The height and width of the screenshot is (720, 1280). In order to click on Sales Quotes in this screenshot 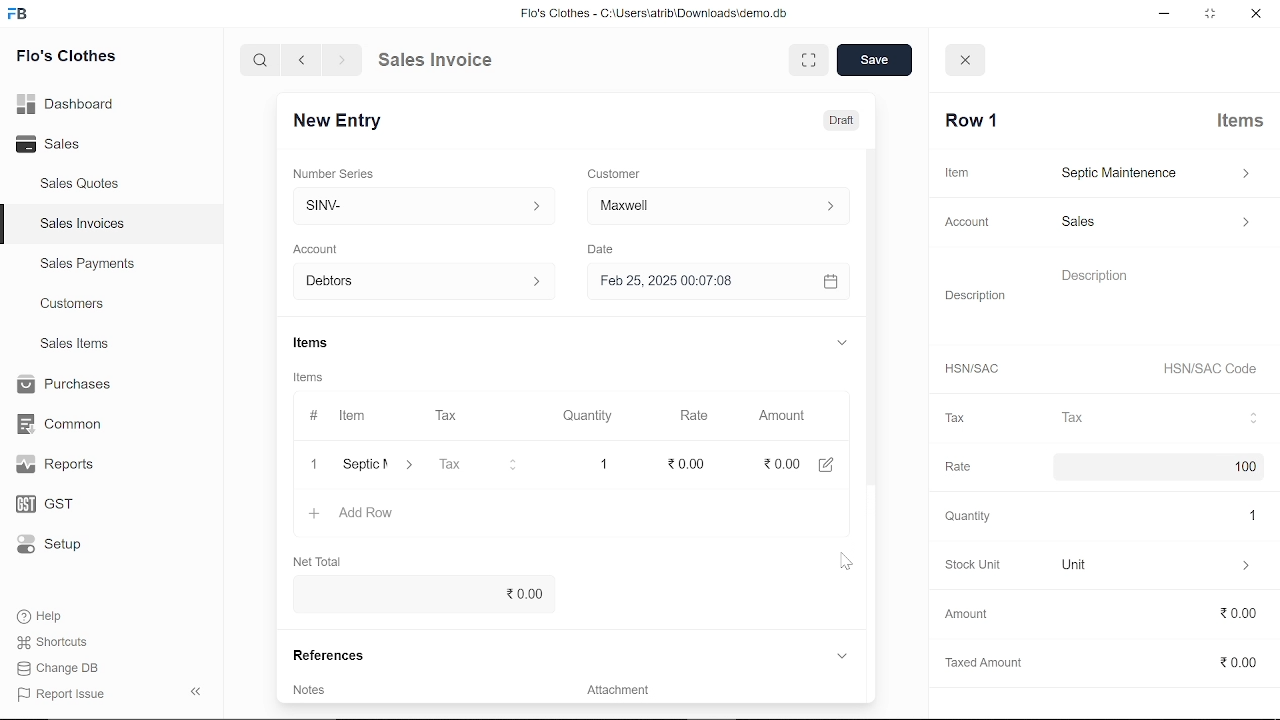, I will do `click(82, 186)`.